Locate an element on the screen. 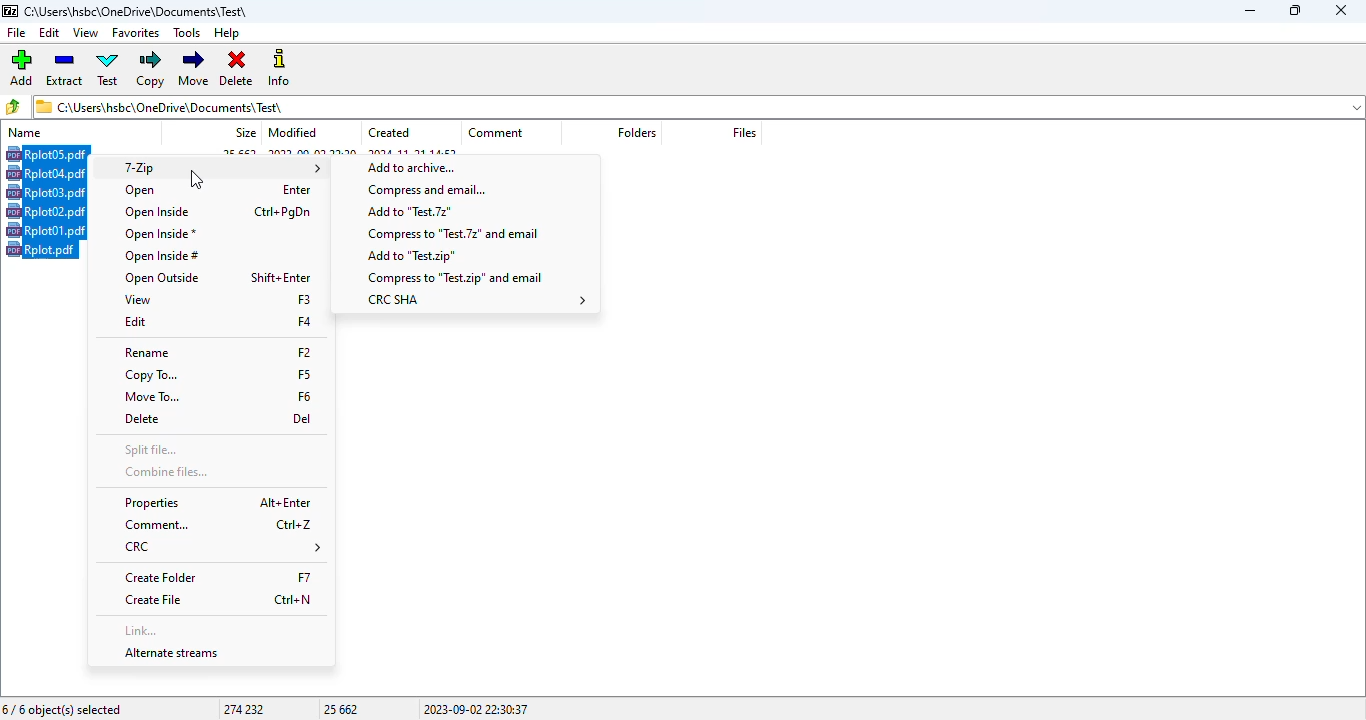 Image resolution: width=1366 pixels, height=720 pixels. compress to test.7z and email is located at coordinates (451, 232).